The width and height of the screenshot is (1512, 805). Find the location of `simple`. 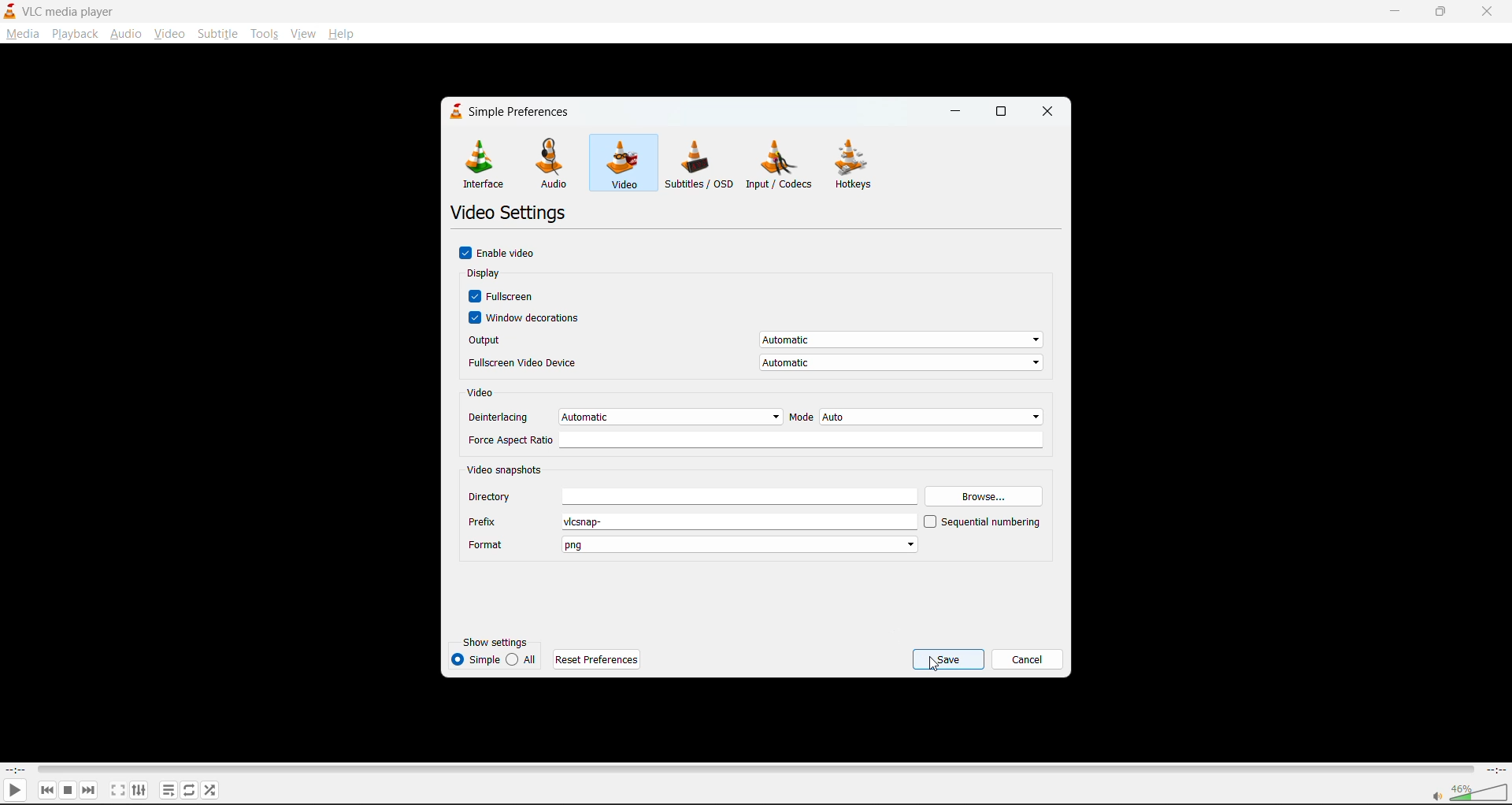

simple is located at coordinates (475, 659).